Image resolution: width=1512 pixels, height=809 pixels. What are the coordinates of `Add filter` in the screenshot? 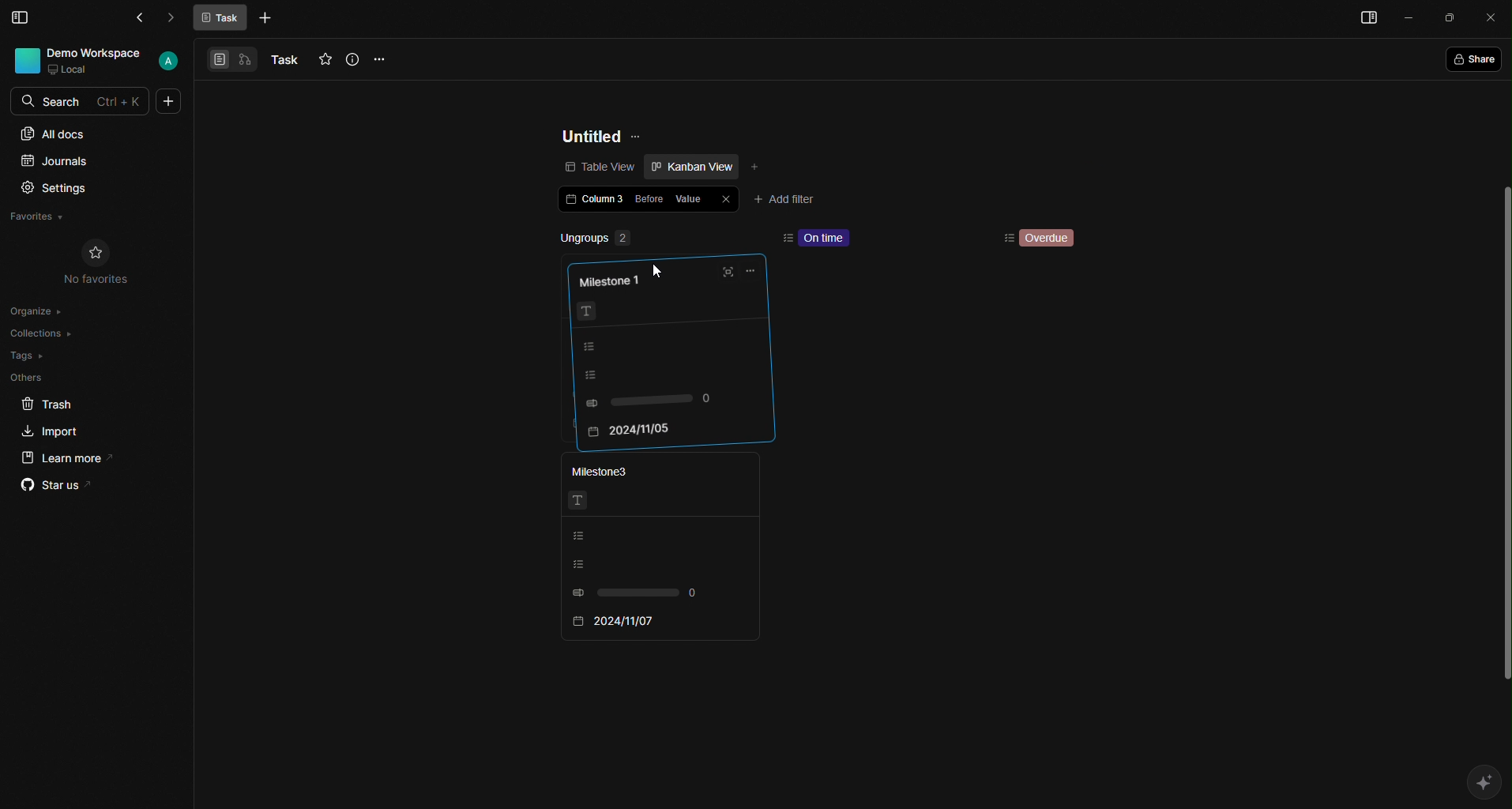 It's located at (784, 197).